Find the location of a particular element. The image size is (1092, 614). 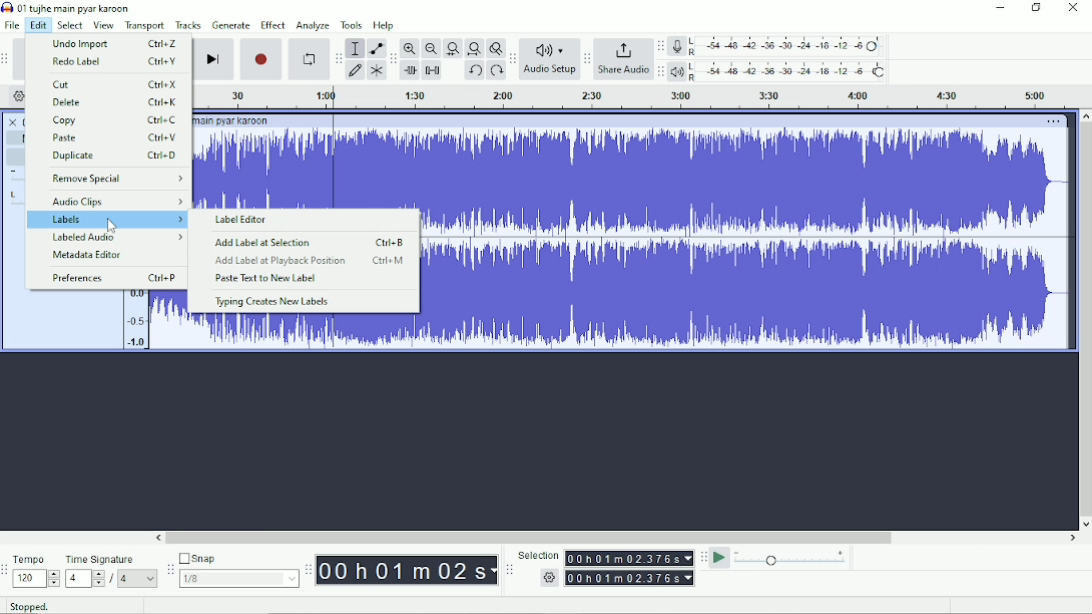

More options is located at coordinates (1052, 121).